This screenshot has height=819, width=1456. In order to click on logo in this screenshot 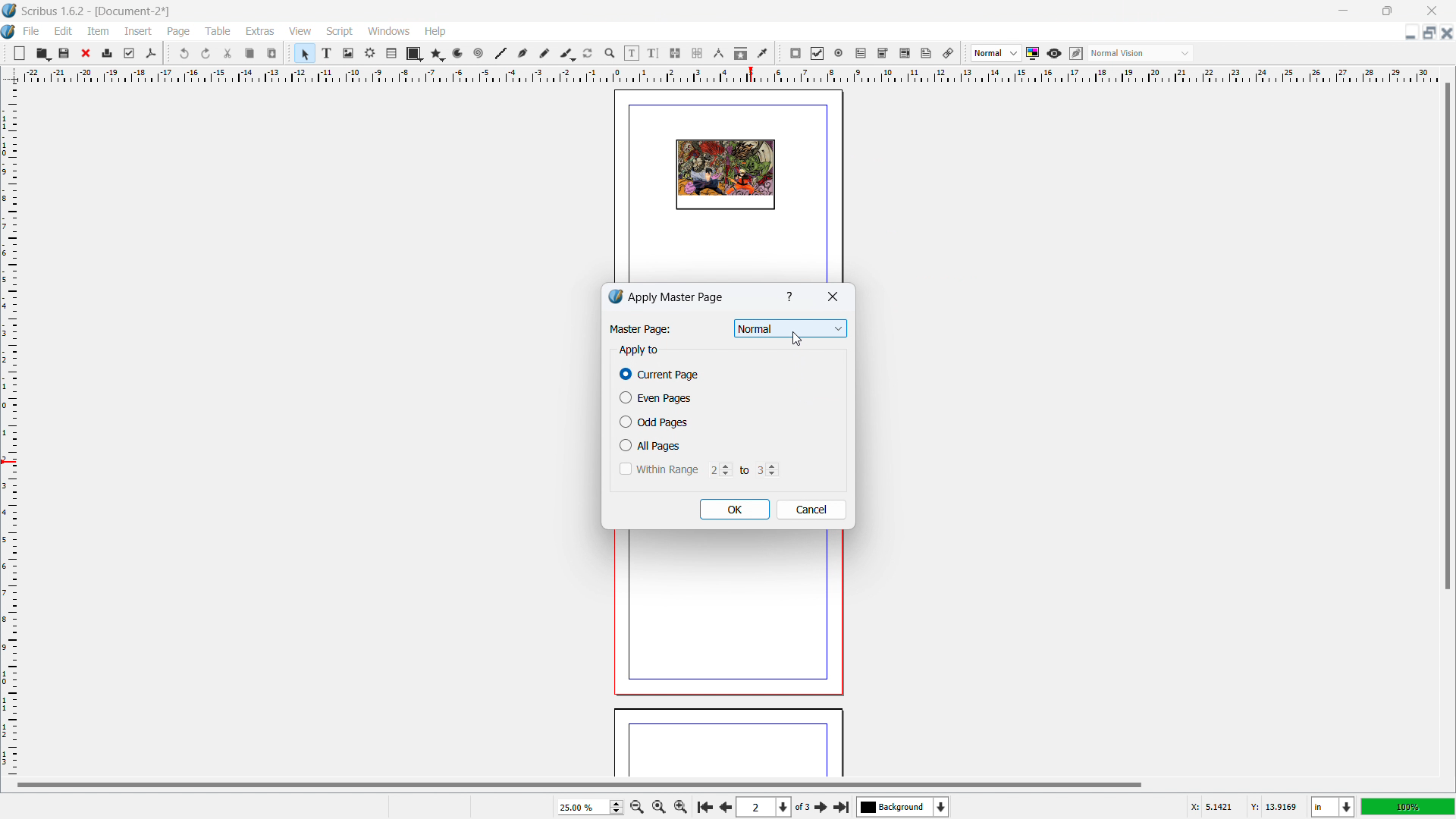, I will do `click(615, 297)`.